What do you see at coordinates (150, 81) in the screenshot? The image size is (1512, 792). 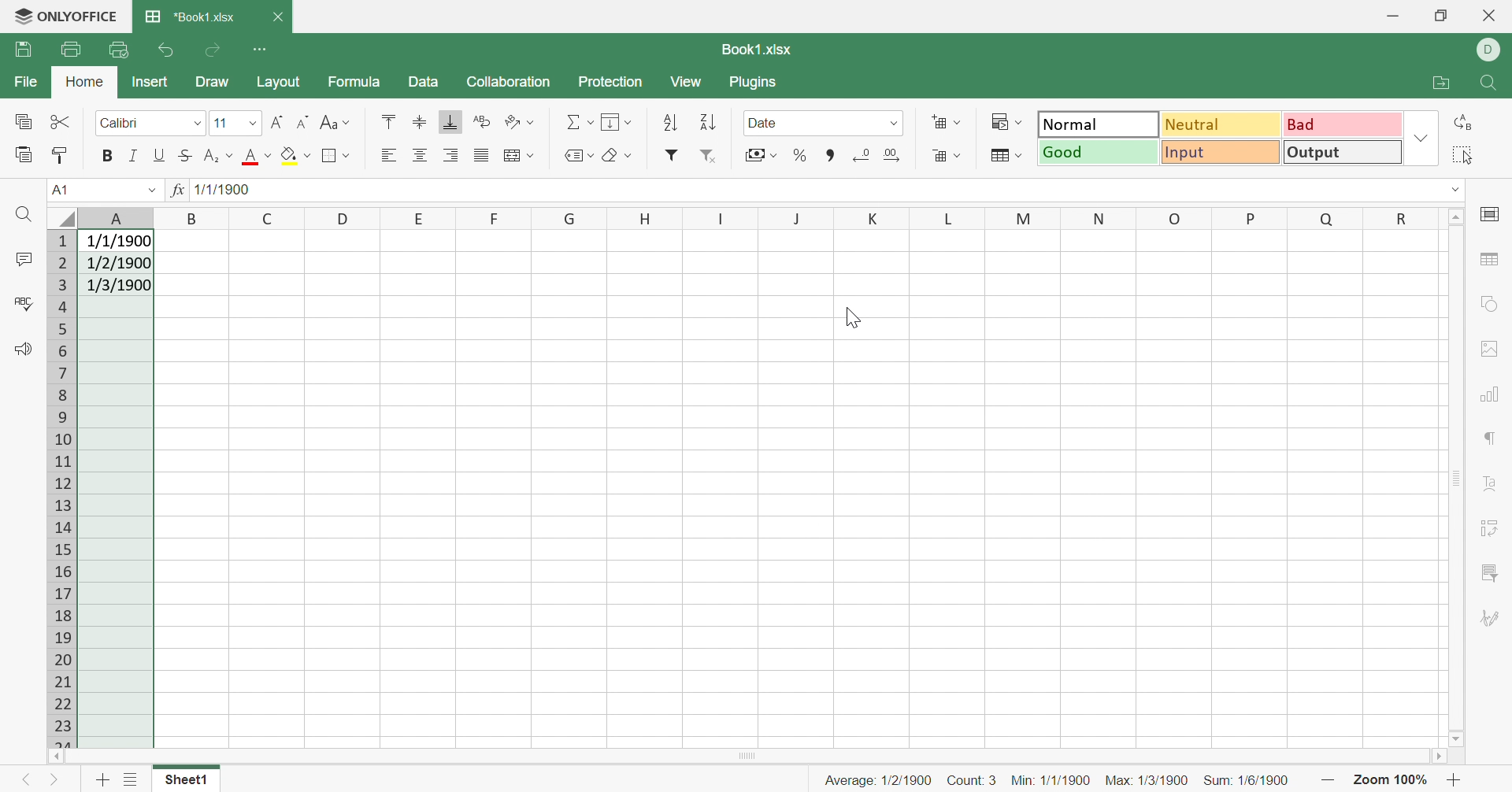 I see `Insert` at bounding box center [150, 81].